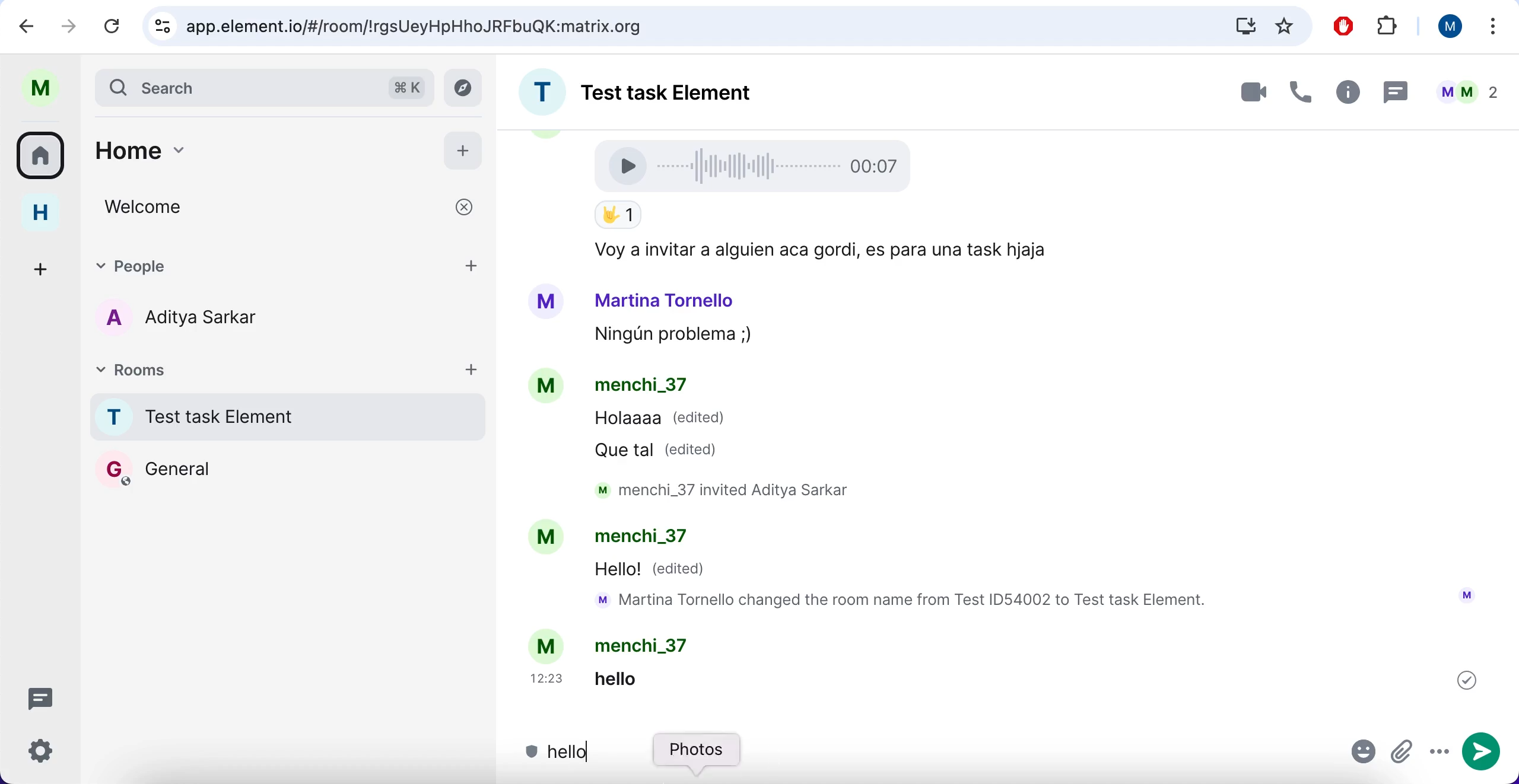  Describe the element at coordinates (733, 490) in the screenshot. I see `M menchi_3/ Invited Aditya Sarkar` at that location.